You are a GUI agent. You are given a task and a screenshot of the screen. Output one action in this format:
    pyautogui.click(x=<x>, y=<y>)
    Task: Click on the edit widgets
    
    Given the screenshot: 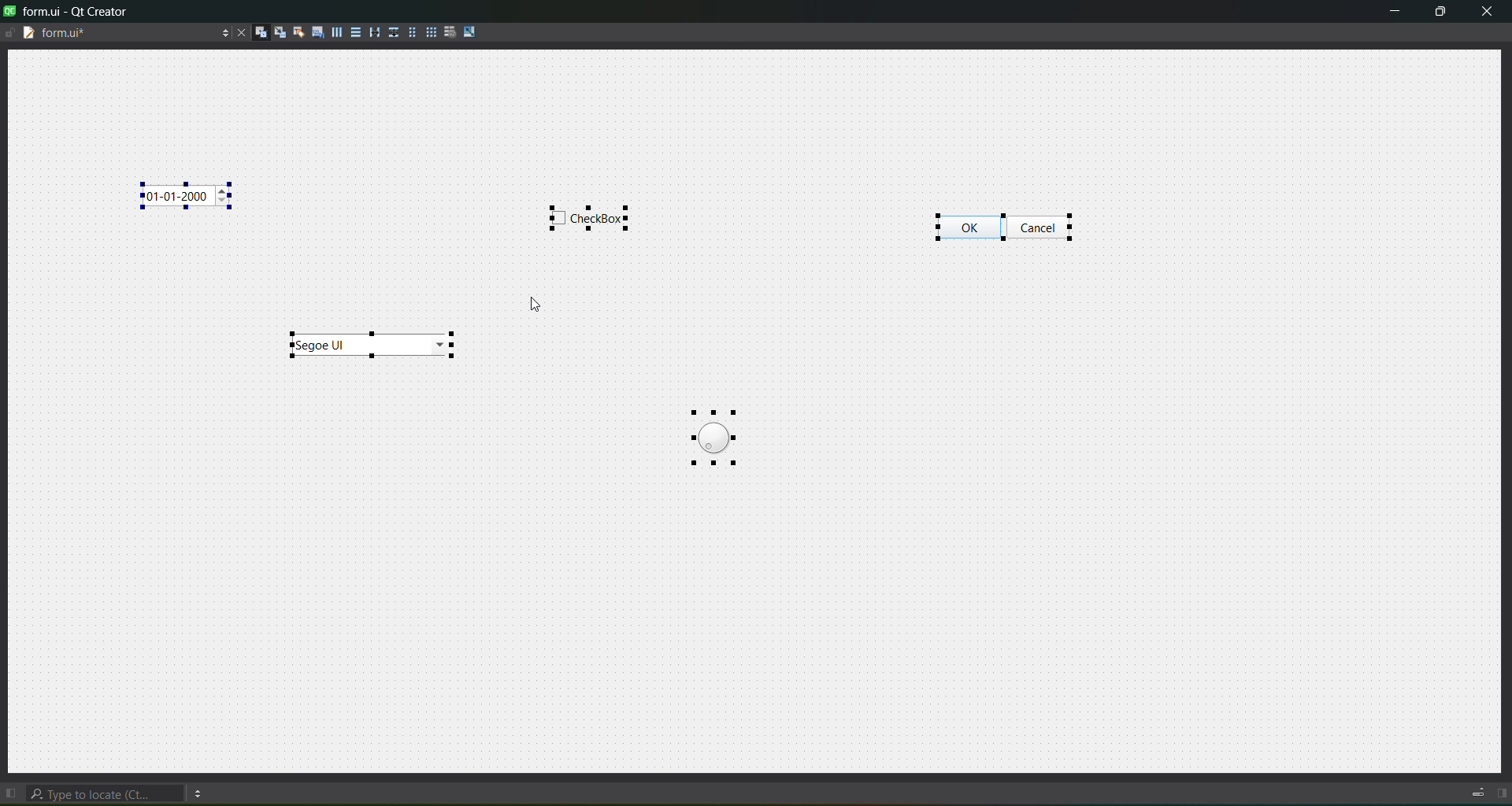 What is the action you would take?
    pyautogui.click(x=258, y=31)
    